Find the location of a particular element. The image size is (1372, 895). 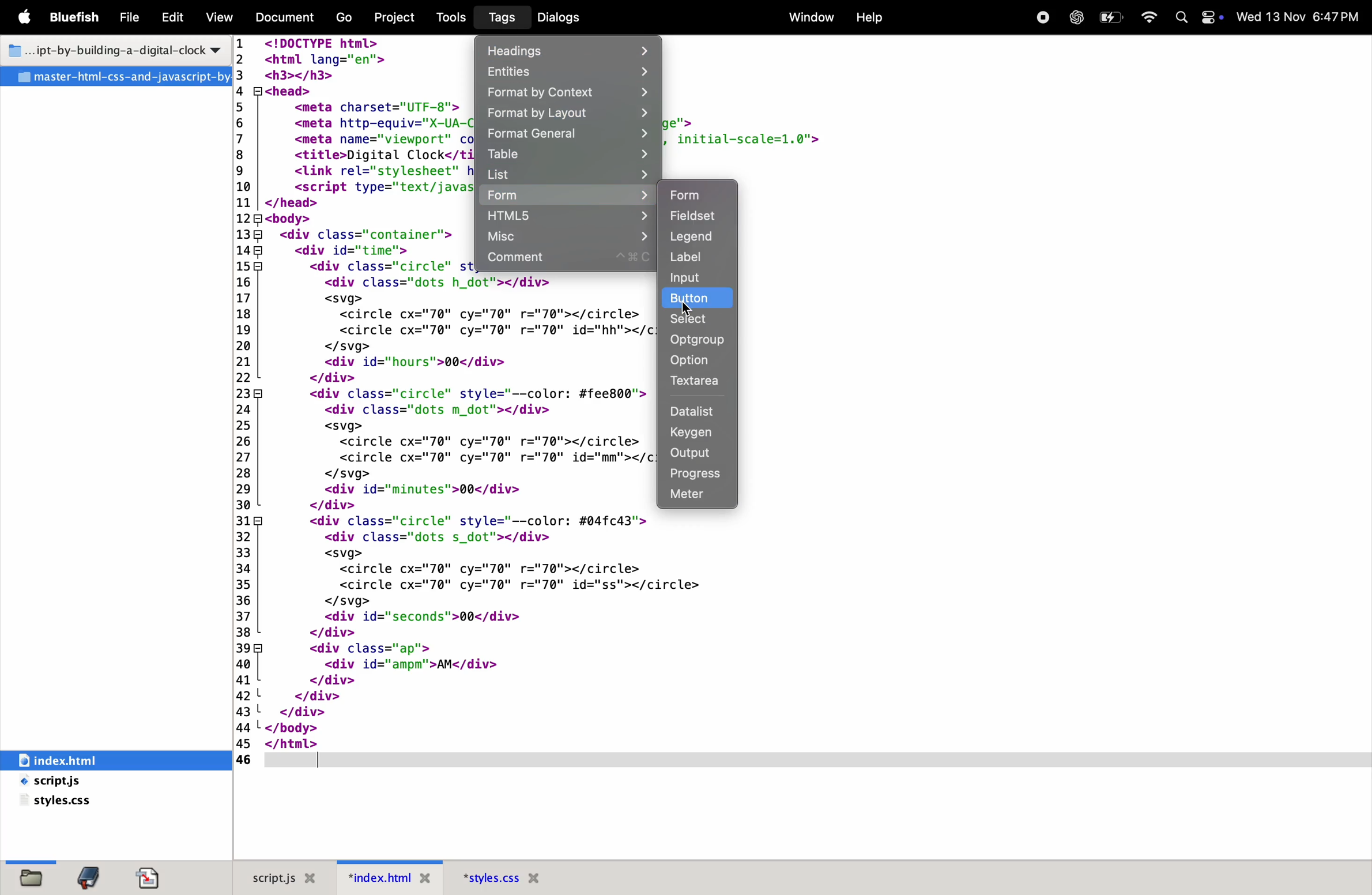

Close file is located at coordinates (537, 878).